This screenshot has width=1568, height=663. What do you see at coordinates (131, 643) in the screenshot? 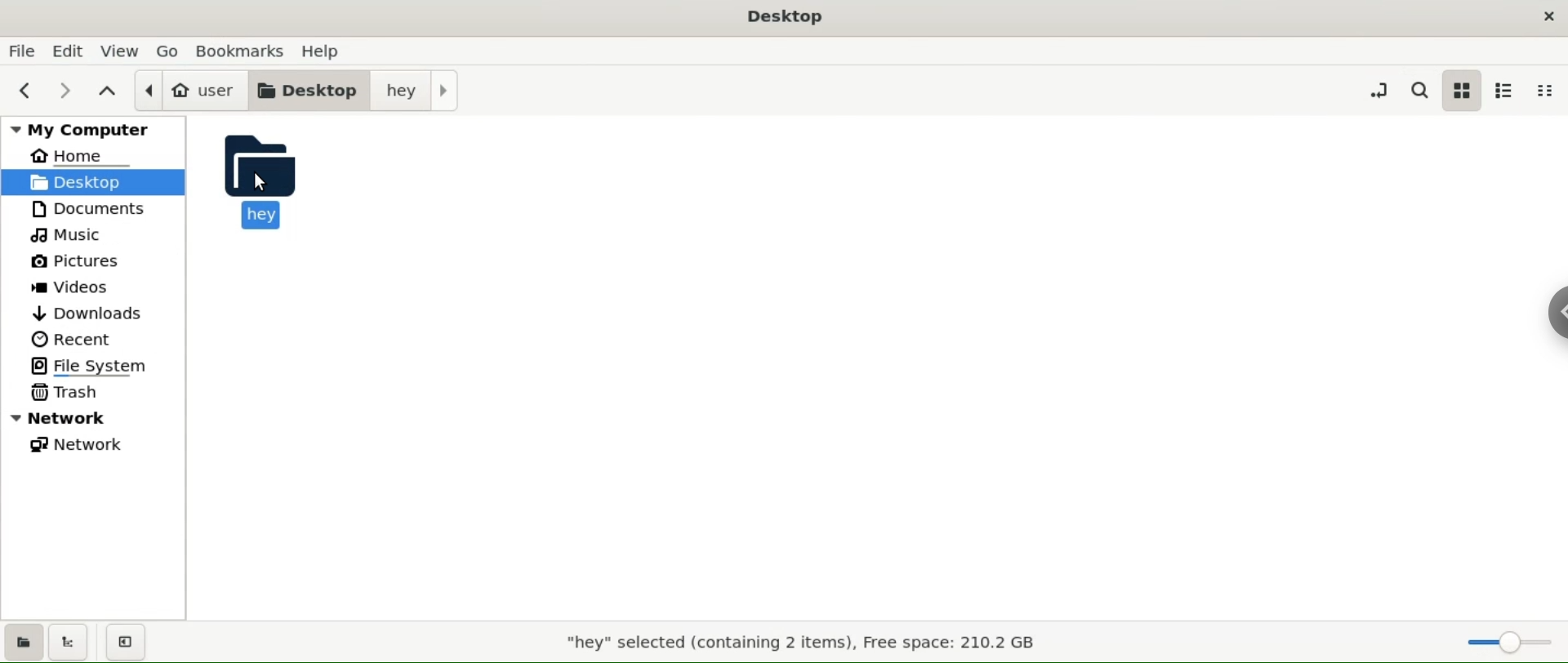
I see `close sidebars` at bounding box center [131, 643].